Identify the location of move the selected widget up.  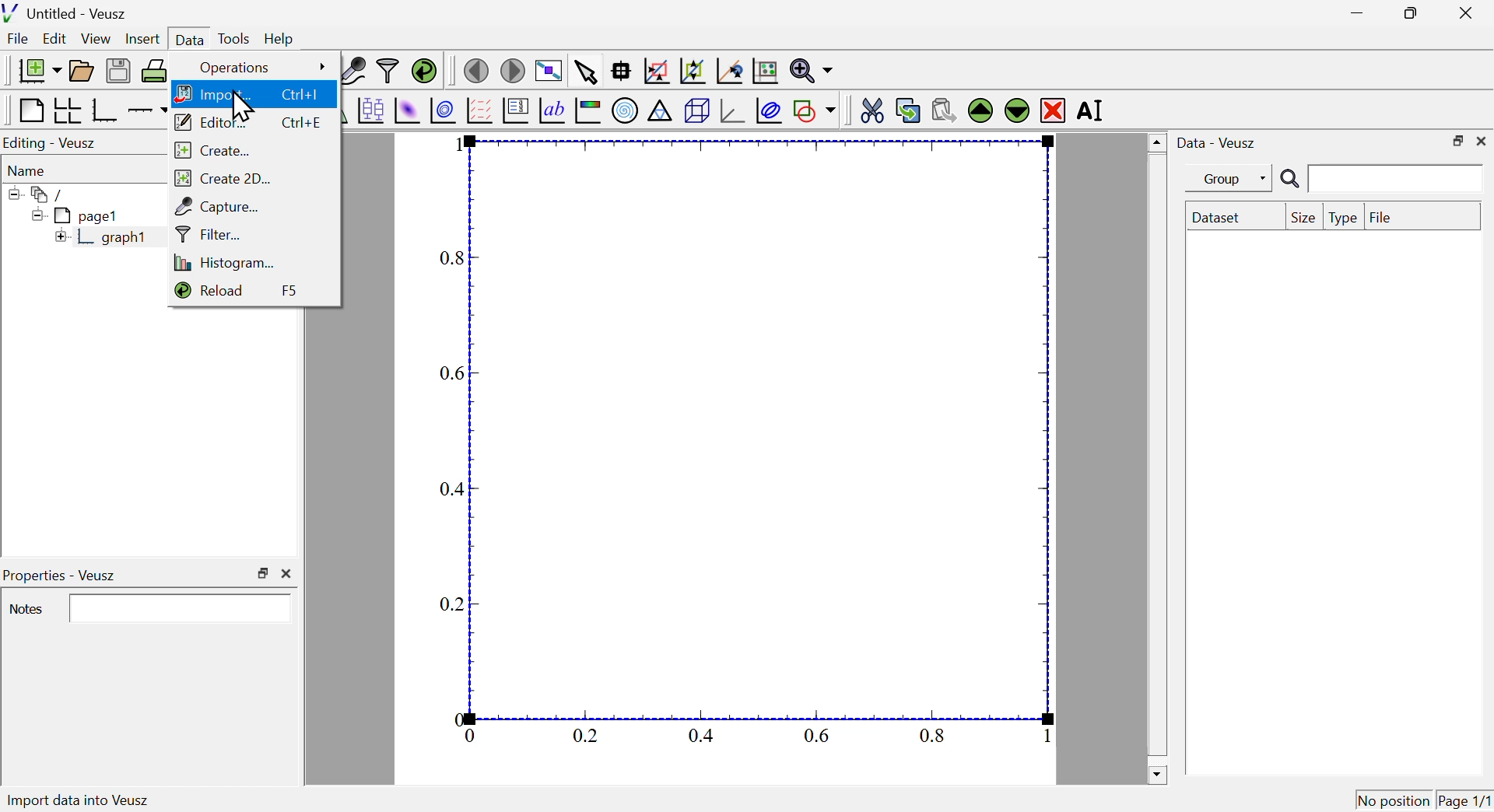
(980, 110).